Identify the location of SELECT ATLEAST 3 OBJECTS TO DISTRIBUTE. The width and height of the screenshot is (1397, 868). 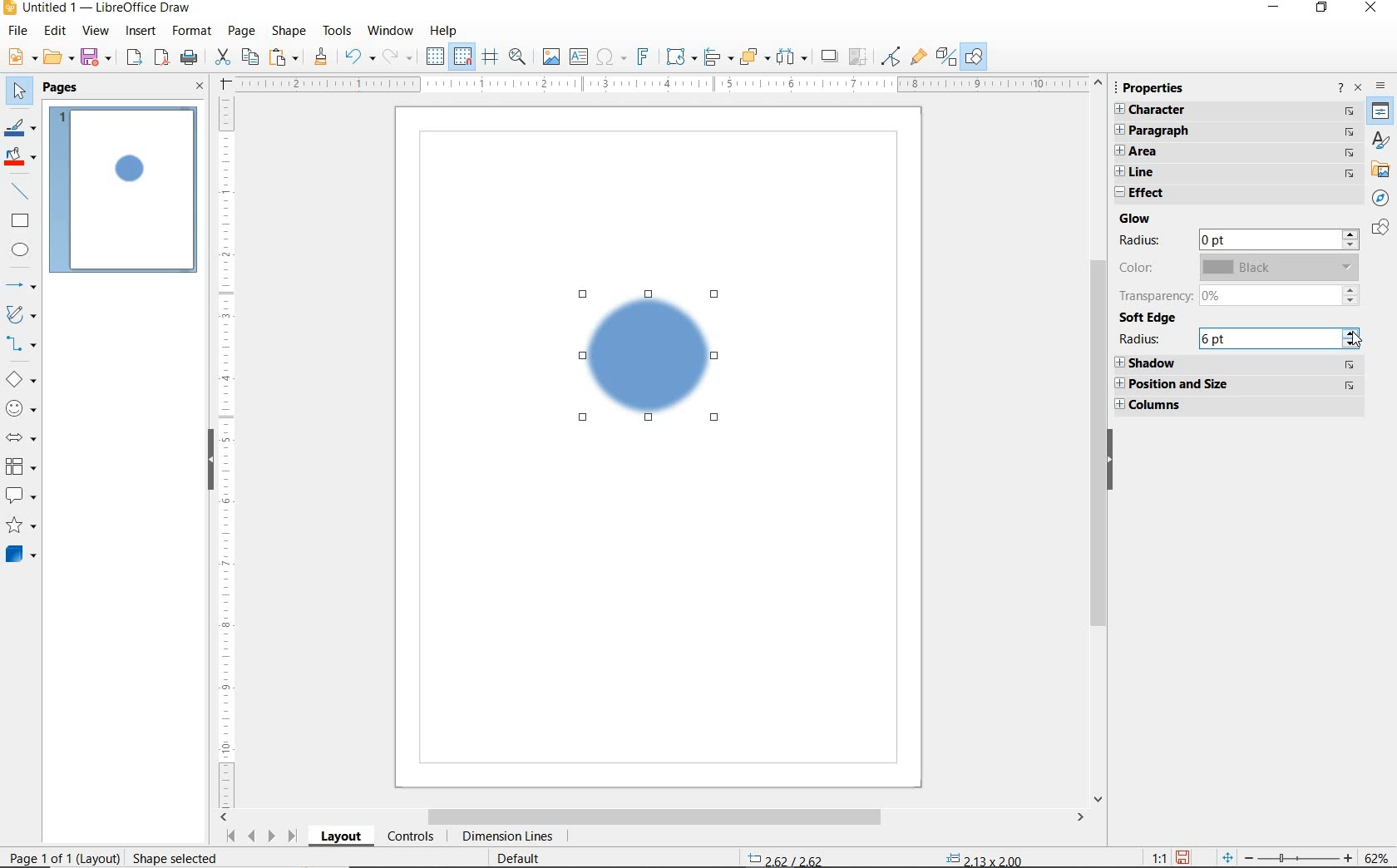
(792, 57).